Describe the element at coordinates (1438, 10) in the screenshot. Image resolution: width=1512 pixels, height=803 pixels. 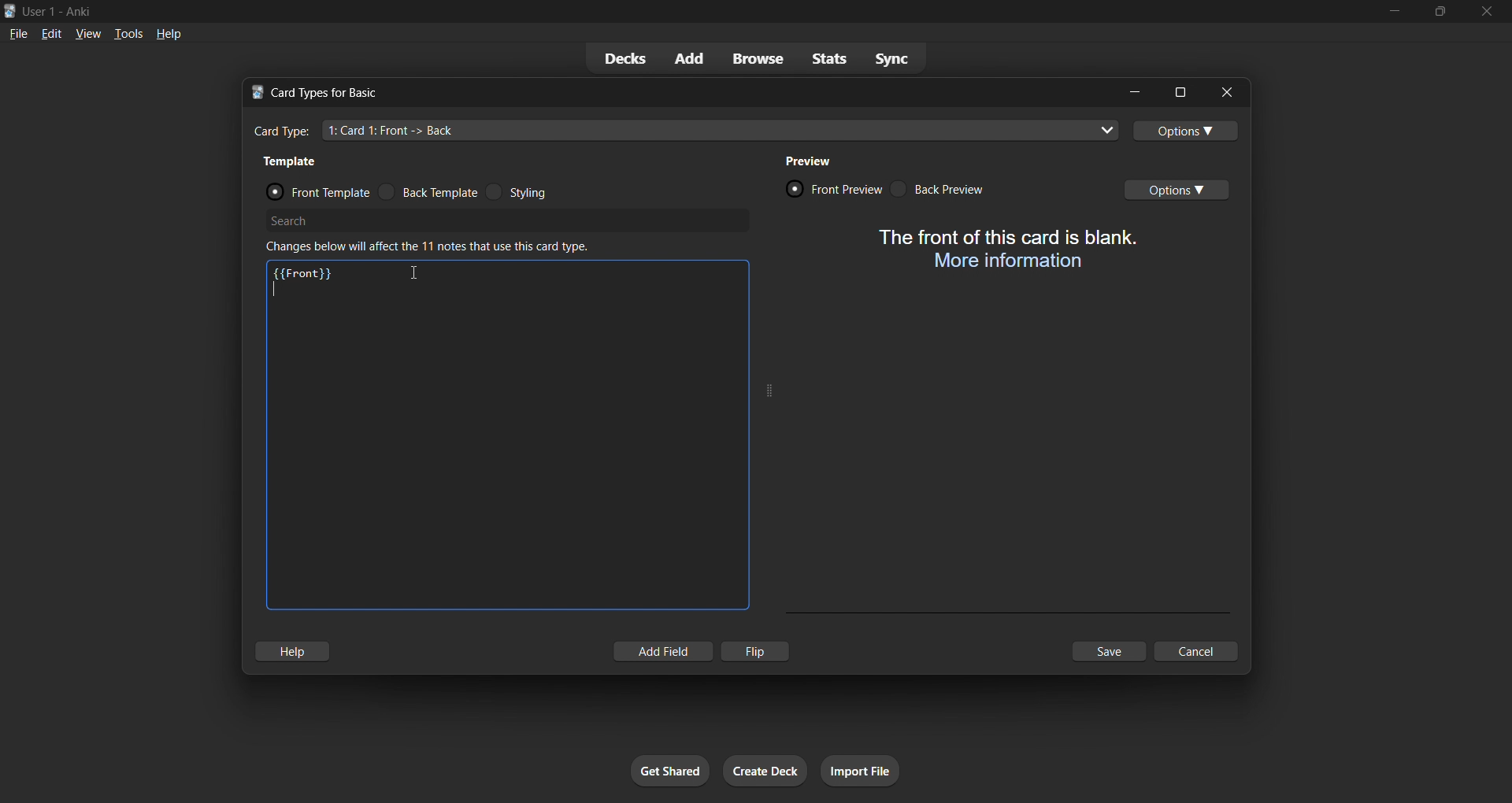
I see `maximize/restore` at that location.